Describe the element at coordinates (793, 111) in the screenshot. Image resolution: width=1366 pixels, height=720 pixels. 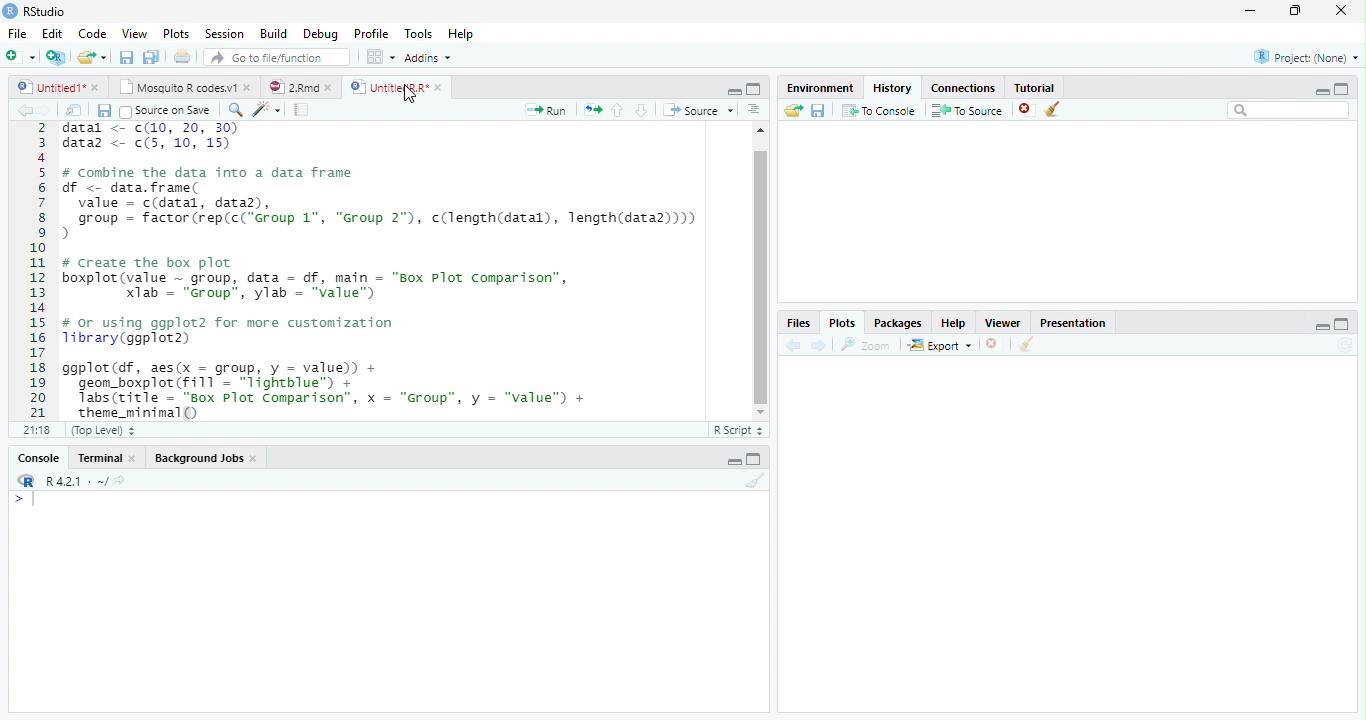
I see `Load history from an existing file` at that location.